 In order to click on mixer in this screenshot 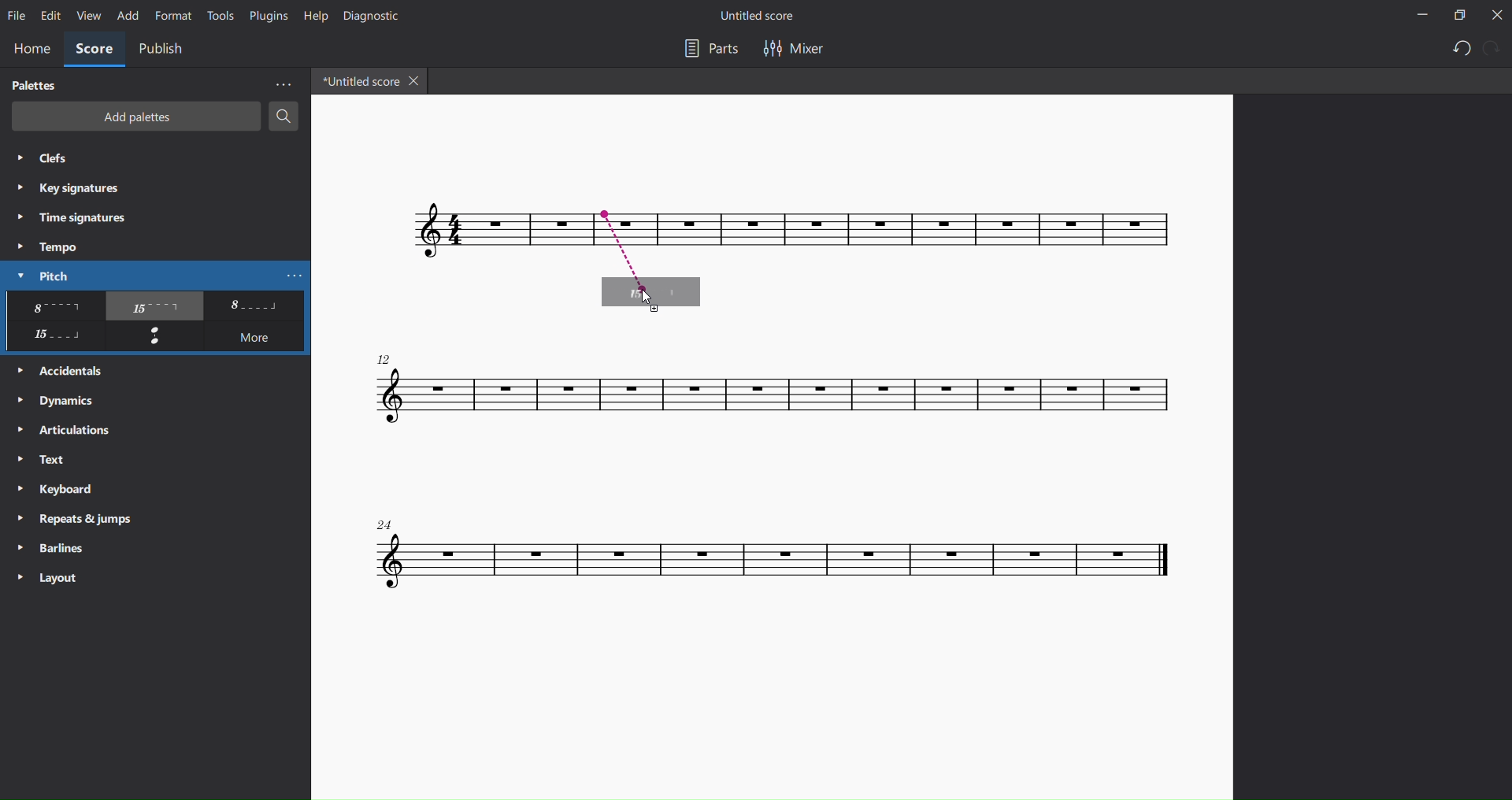, I will do `click(799, 50)`.